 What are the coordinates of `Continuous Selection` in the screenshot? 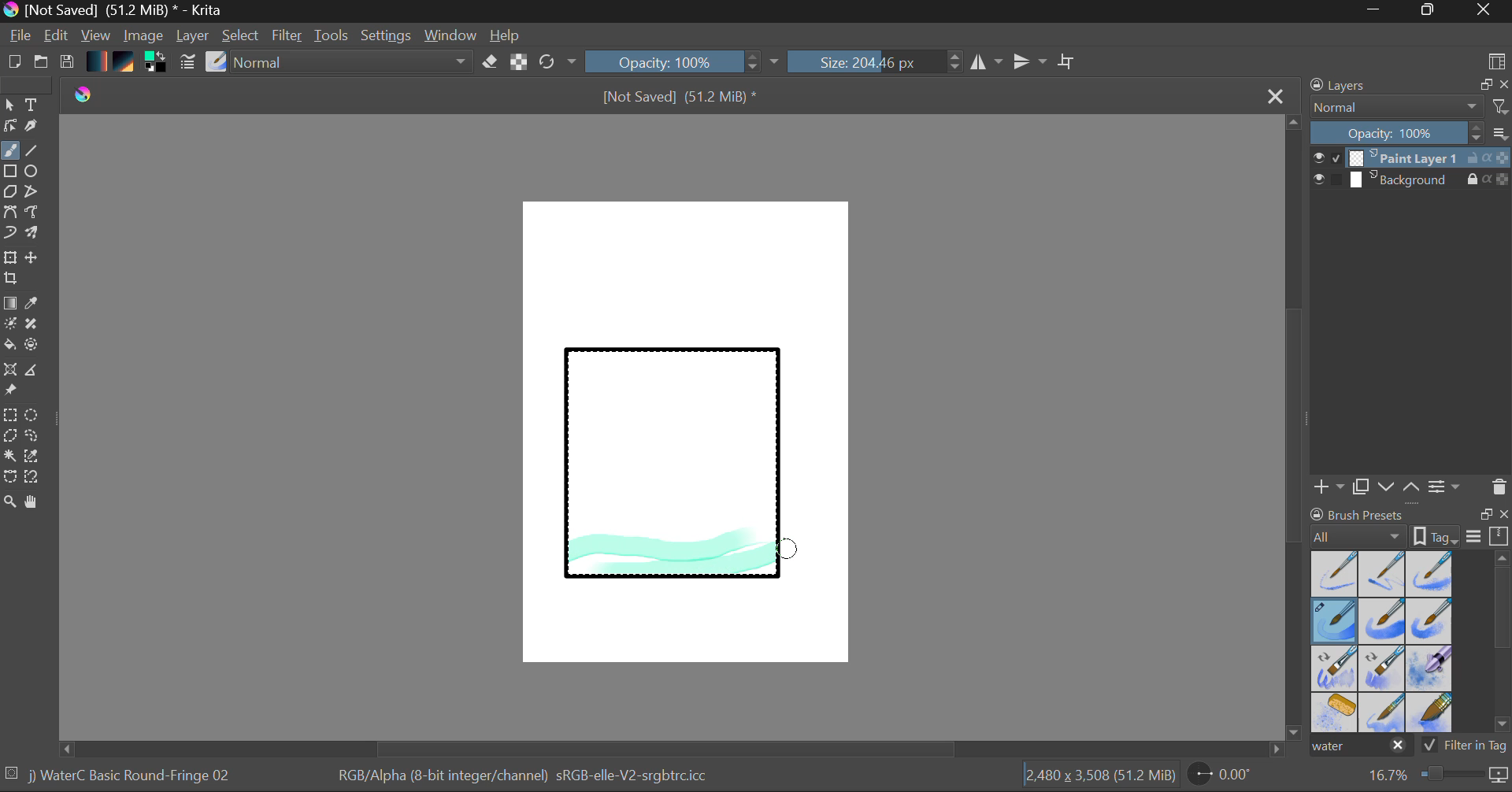 It's located at (9, 455).